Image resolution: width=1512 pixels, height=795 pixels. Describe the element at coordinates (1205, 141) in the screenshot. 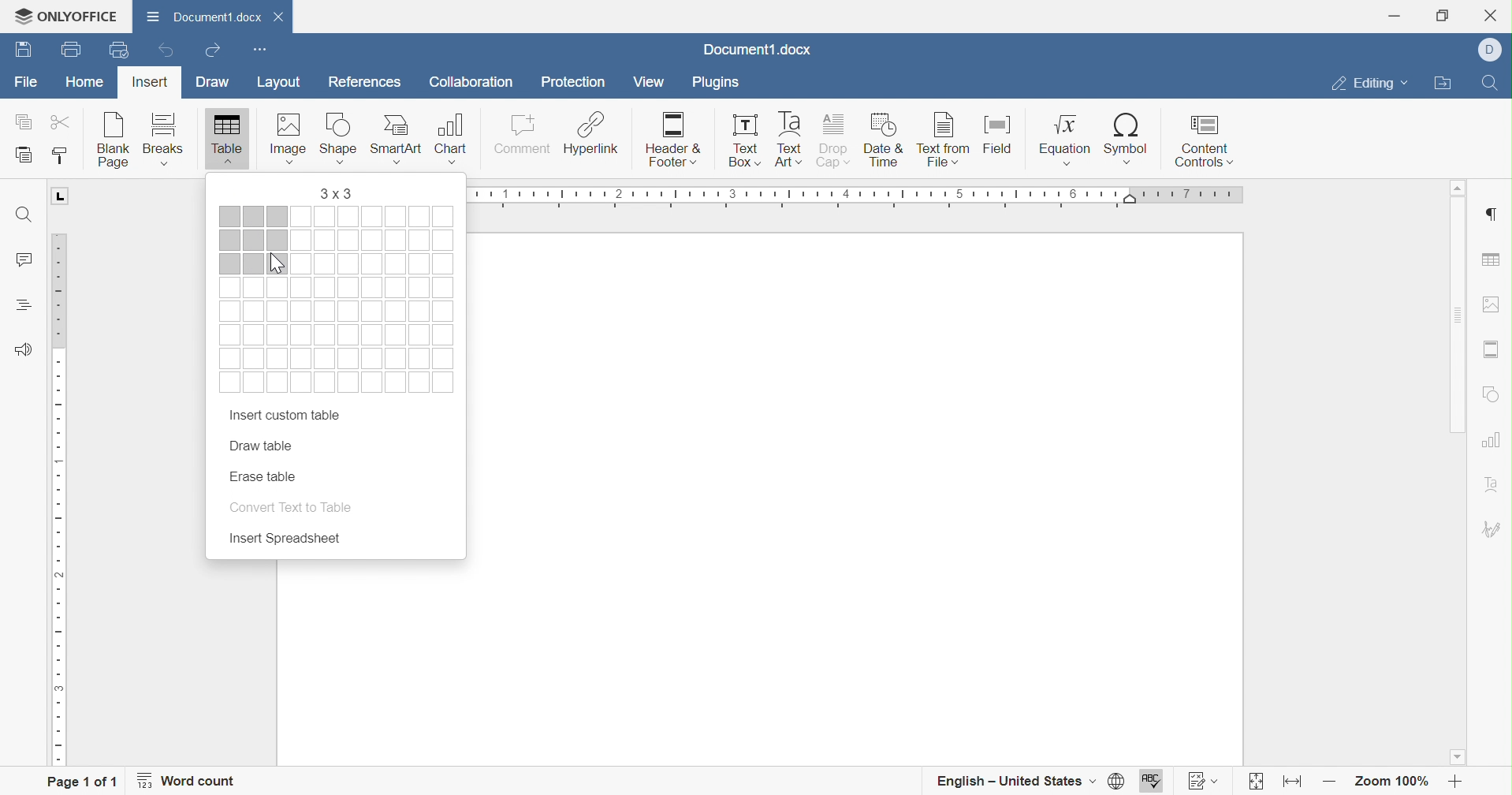

I see `Content controls` at that location.